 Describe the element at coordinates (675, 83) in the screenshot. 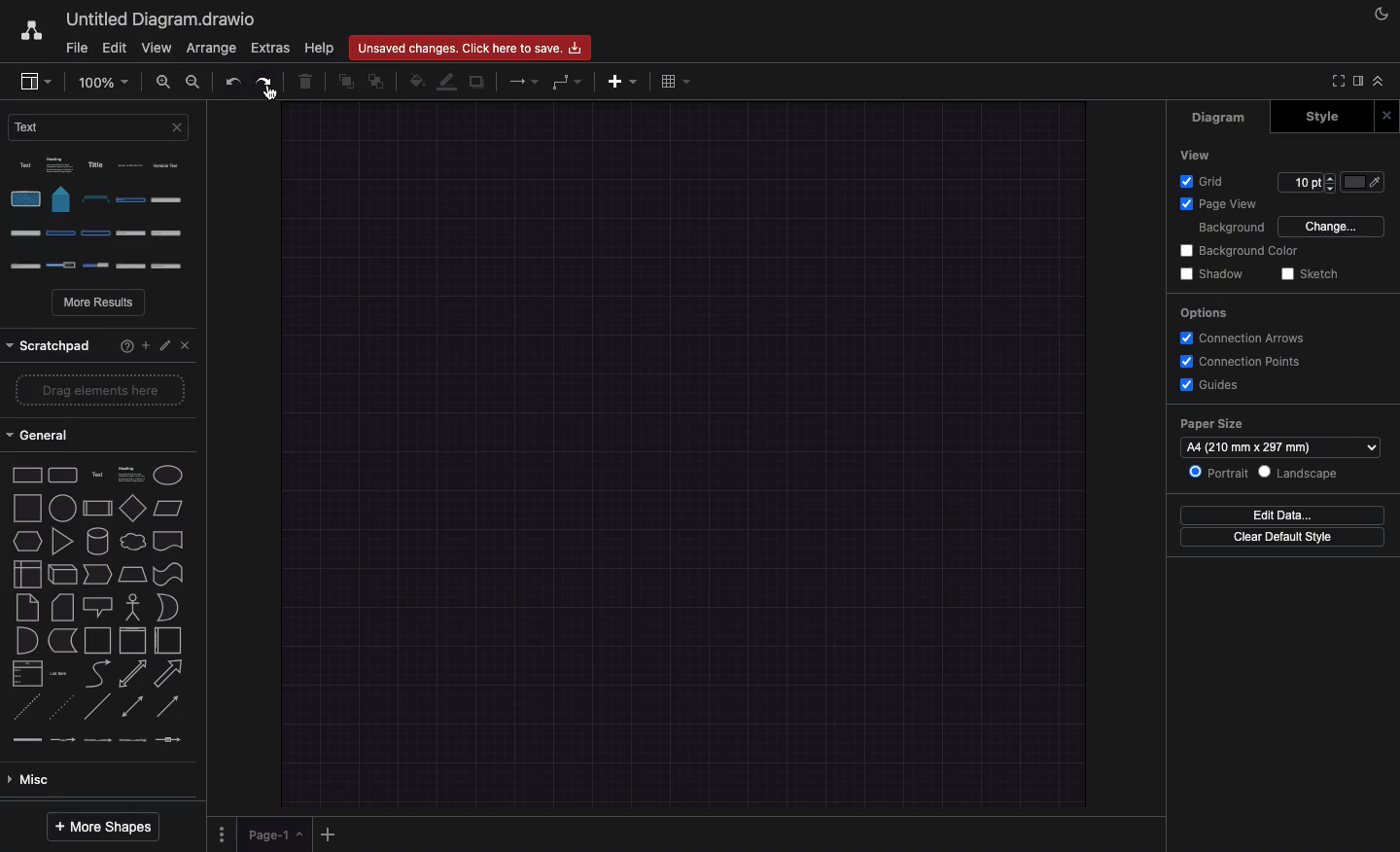

I see `Table` at that location.